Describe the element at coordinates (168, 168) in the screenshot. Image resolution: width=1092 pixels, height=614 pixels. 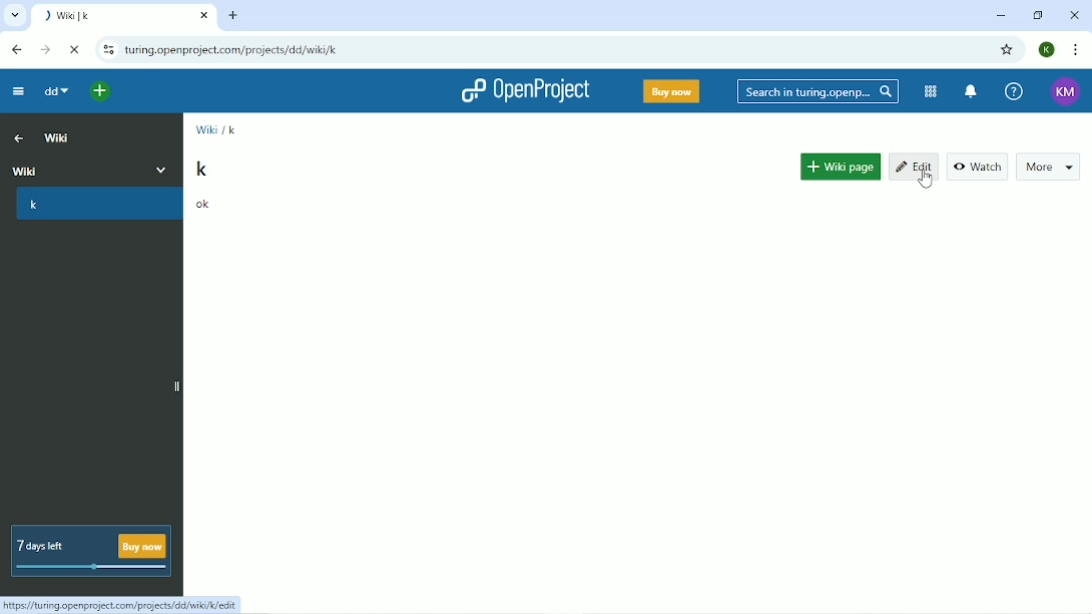
I see `More` at that location.